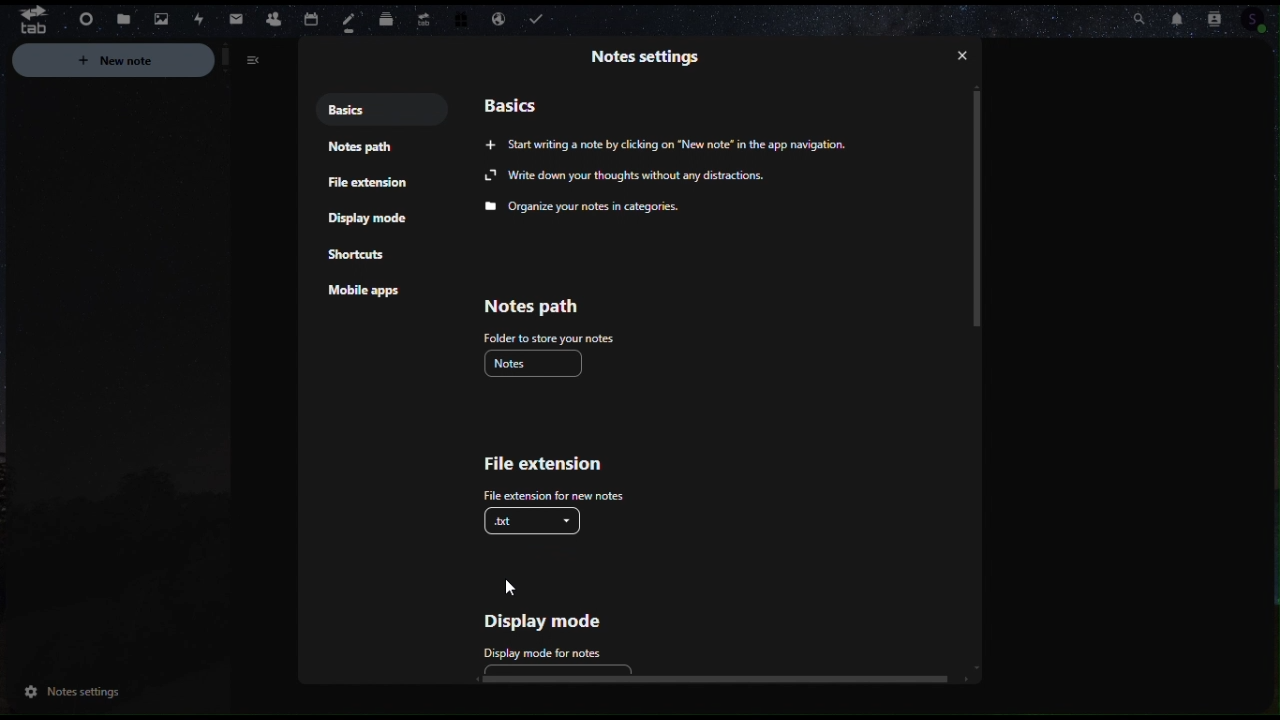 The width and height of the screenshot is (1280, 720). I want to click on File extension, so click(370, 186).